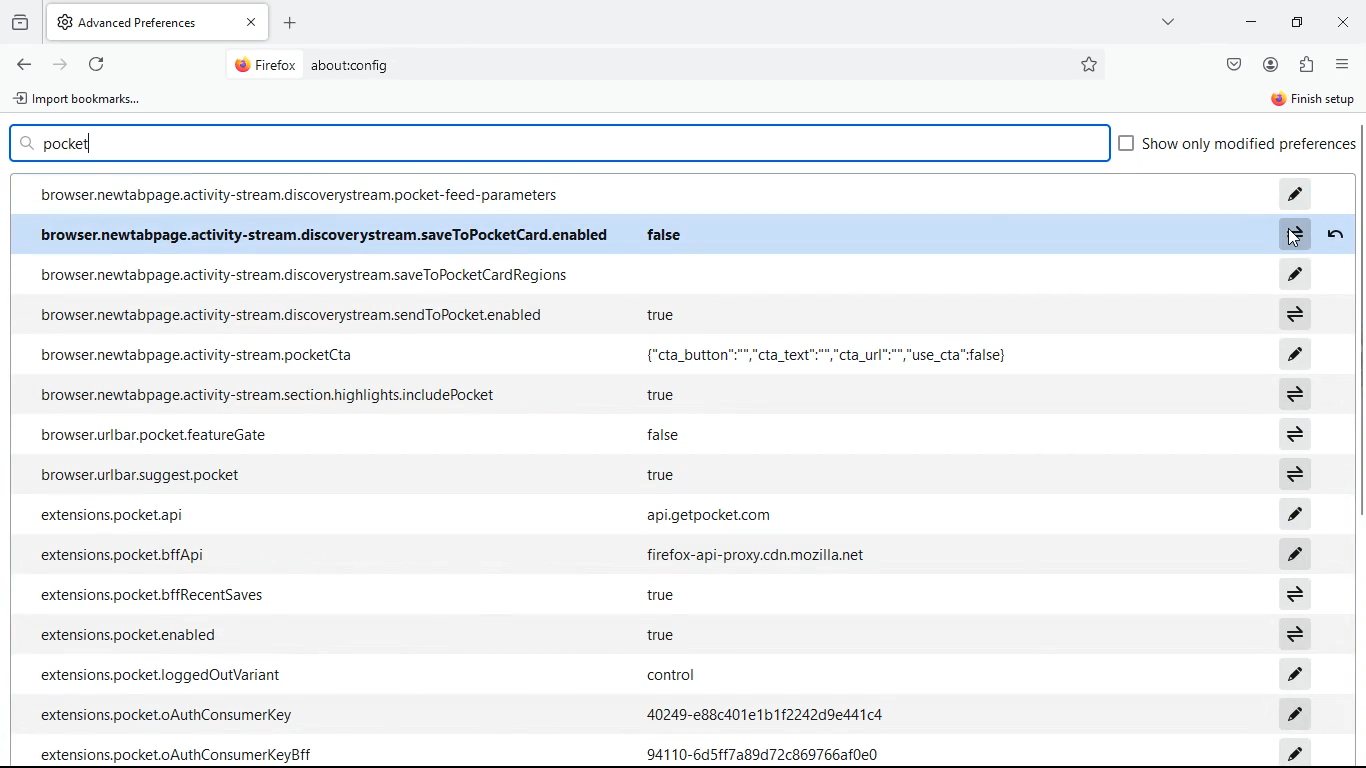 Image resolution: width=1366 pixels, height=768 pixels. I want to click on minimize, so click(1248, 23).